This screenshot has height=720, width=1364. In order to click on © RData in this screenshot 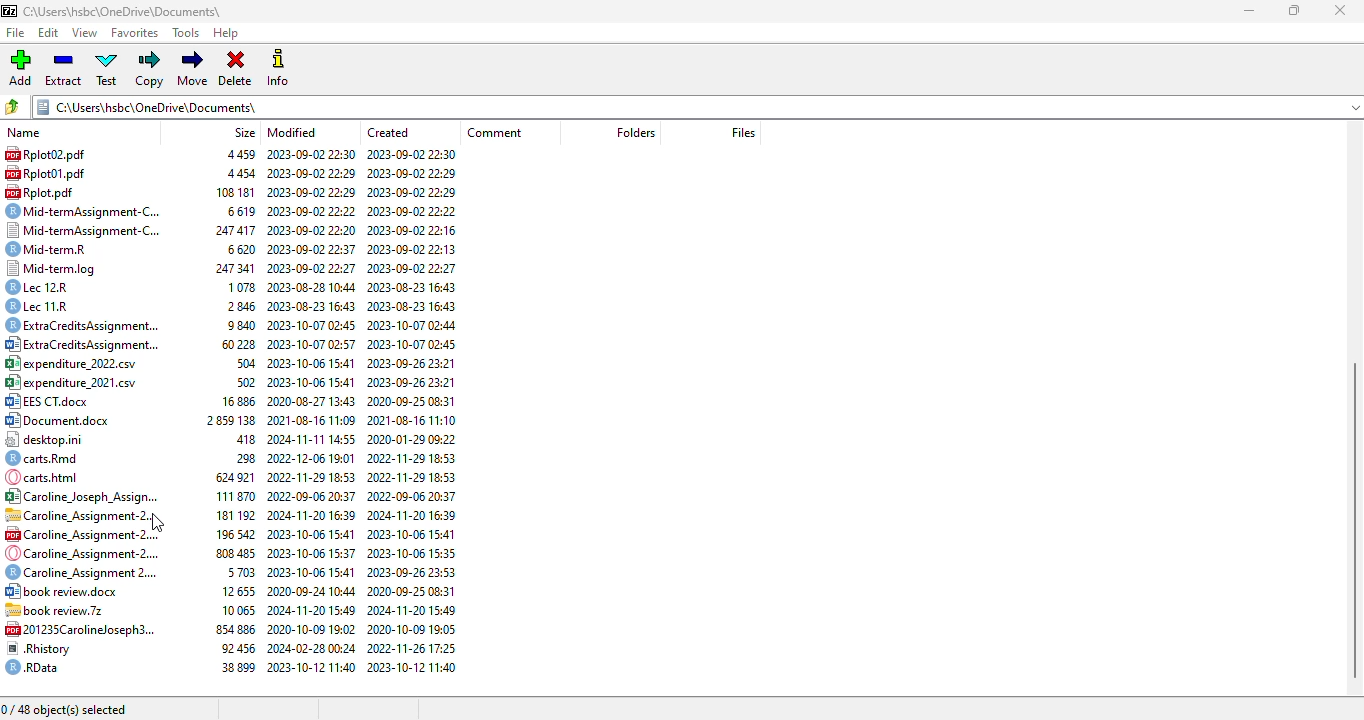, I will do `click(37, 667)`.